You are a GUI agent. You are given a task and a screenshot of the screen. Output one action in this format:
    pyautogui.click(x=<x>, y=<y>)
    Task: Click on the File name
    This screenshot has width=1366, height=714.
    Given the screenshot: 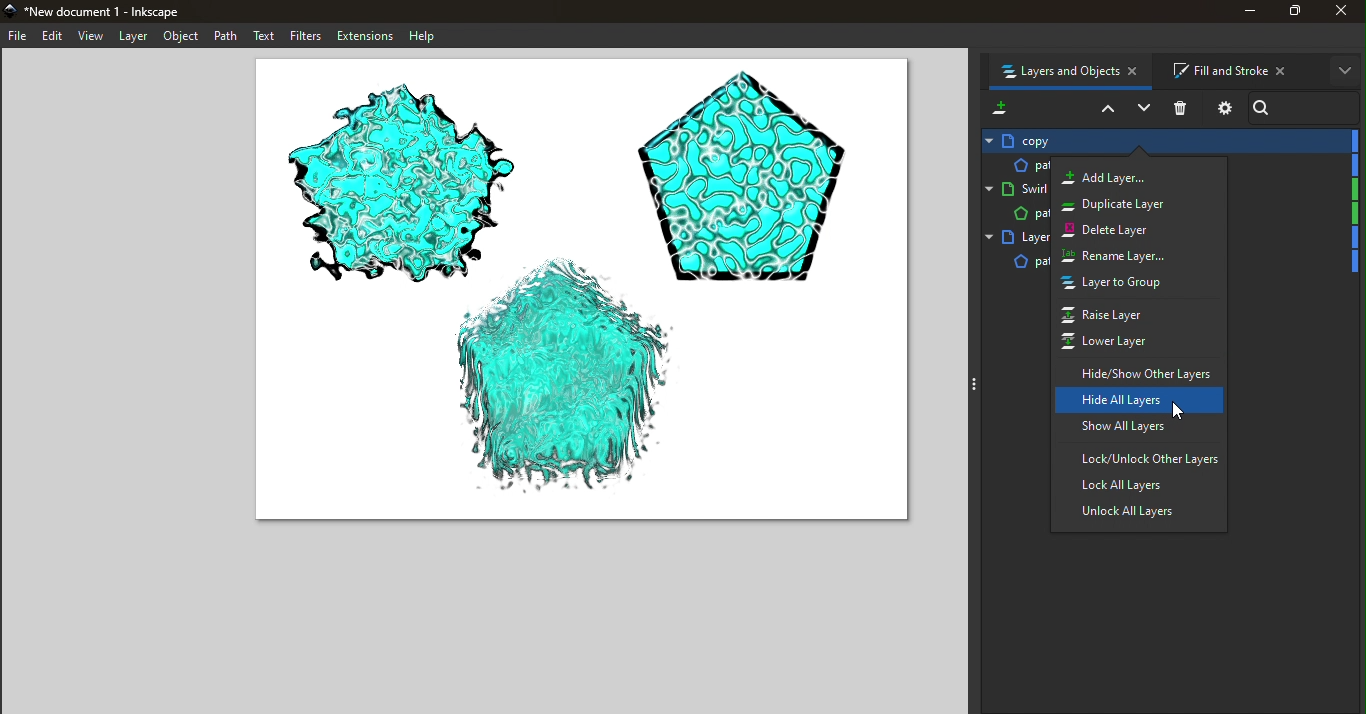 What is the action you would take?
    pyautogui.click(x=107, y=12)
    